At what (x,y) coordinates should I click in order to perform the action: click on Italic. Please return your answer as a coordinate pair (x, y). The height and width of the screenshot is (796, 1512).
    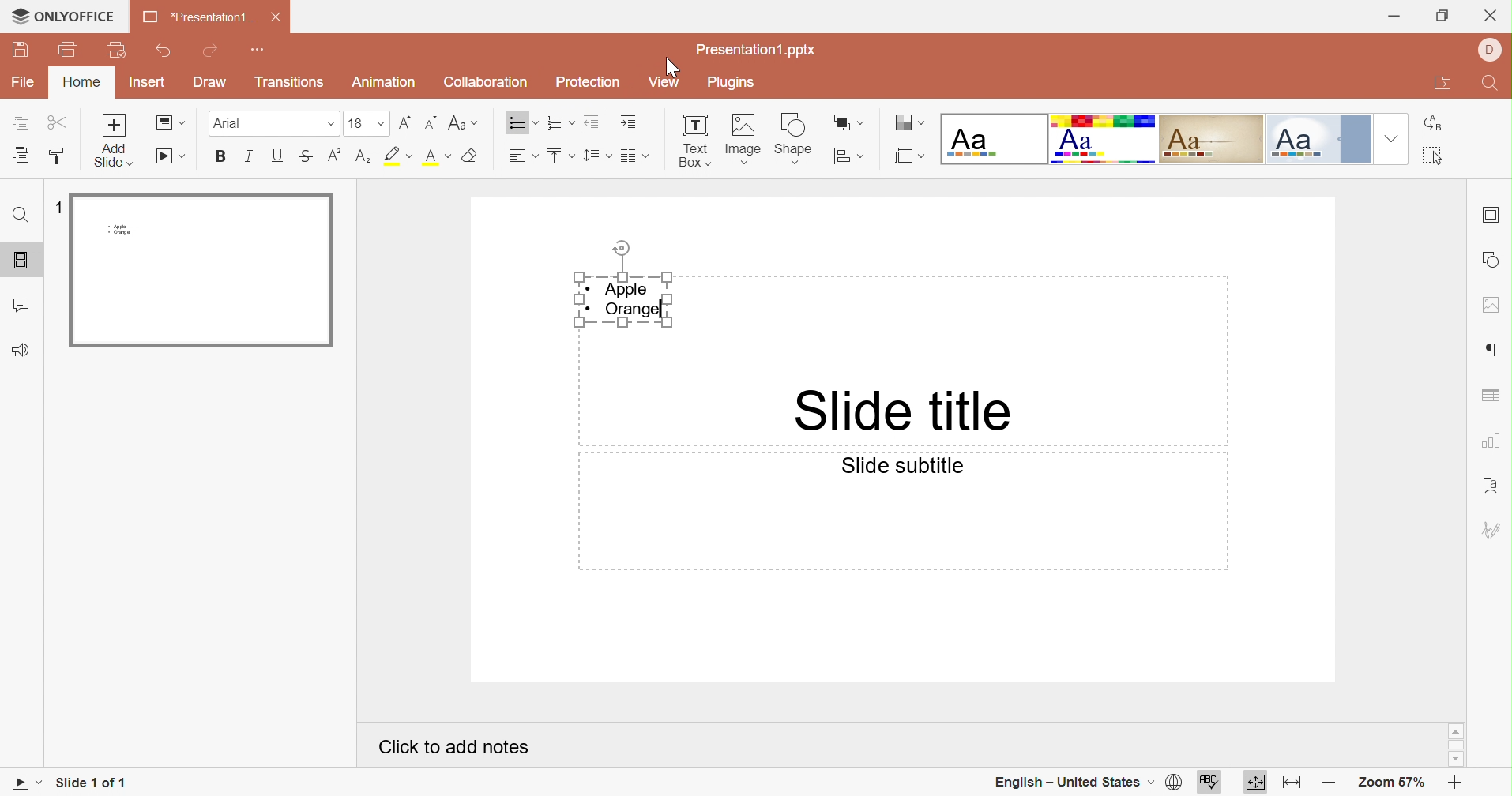
    Looking at the image, I should click on (248, 156).